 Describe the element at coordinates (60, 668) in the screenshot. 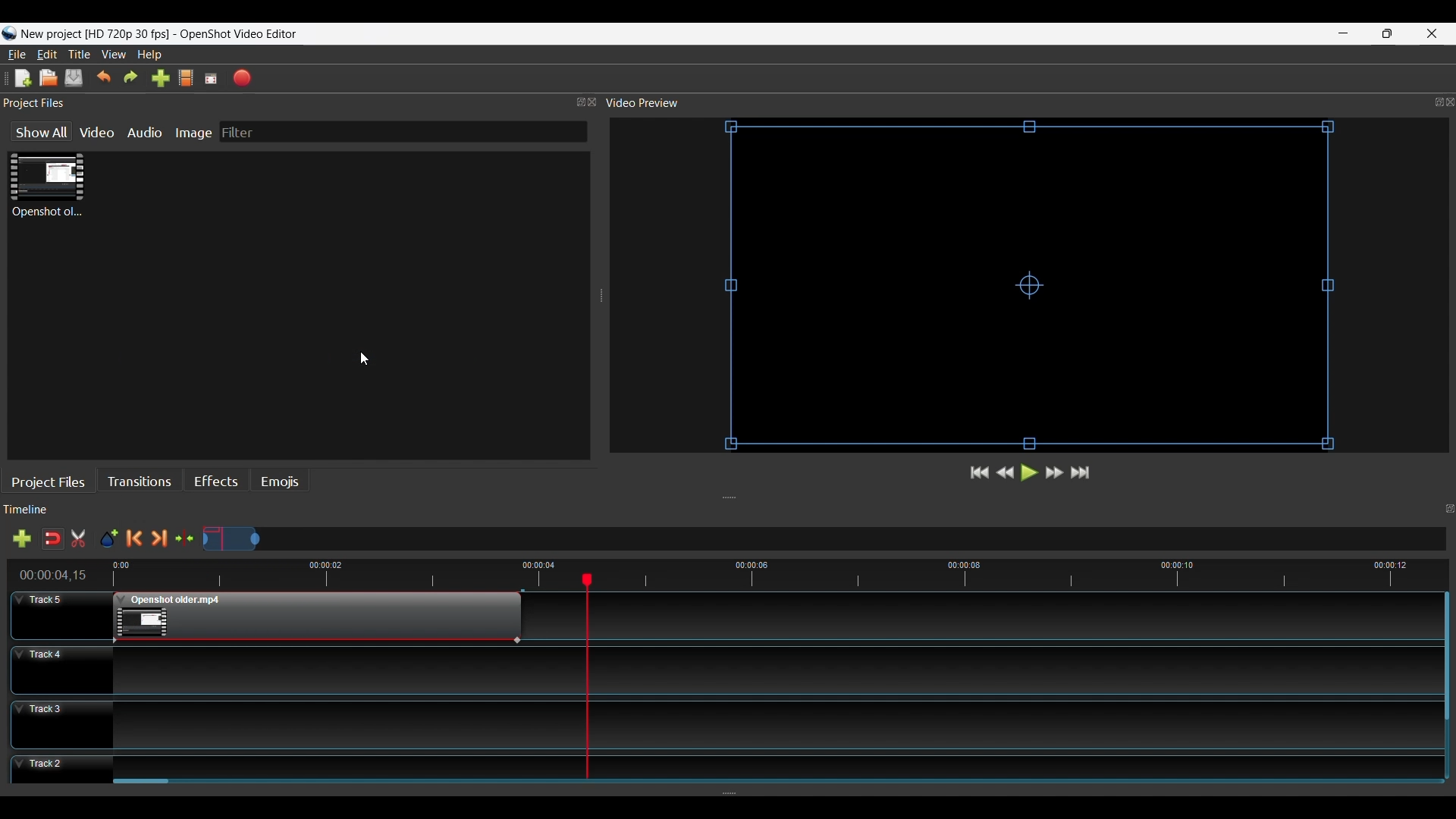

I see `Track Header` at that location.